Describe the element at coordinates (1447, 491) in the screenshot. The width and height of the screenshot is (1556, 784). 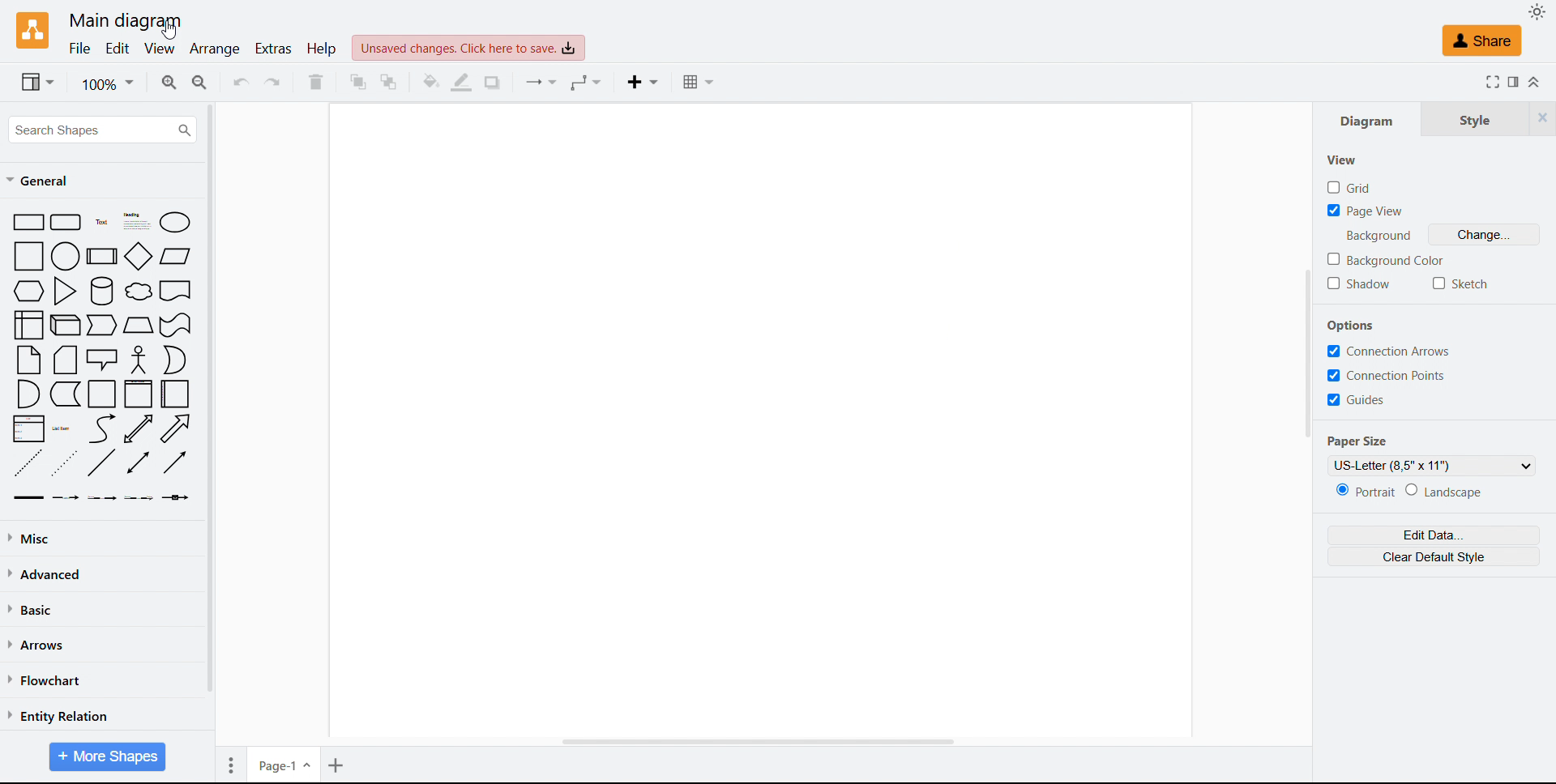
I see `Landscape ` at that location.